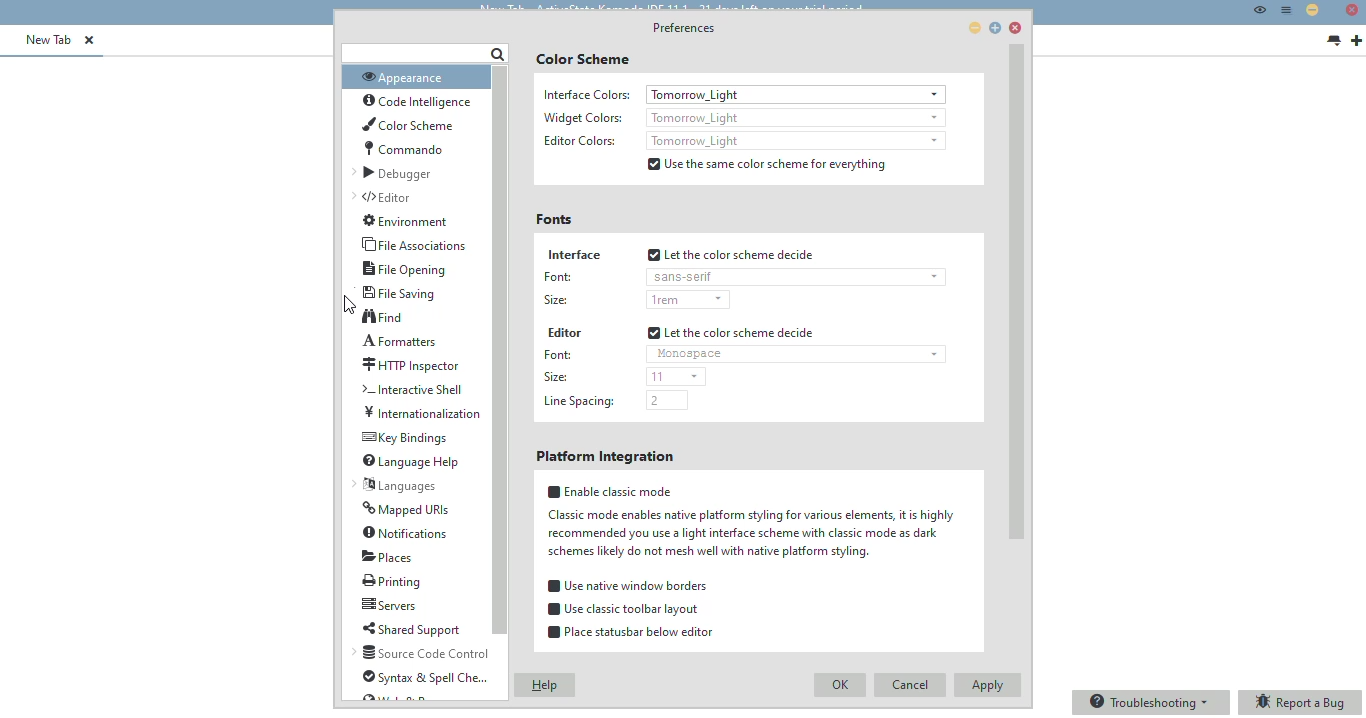  Describe the element at coordinates (398, 341) in the screenshot. I see `formatters` at that location.